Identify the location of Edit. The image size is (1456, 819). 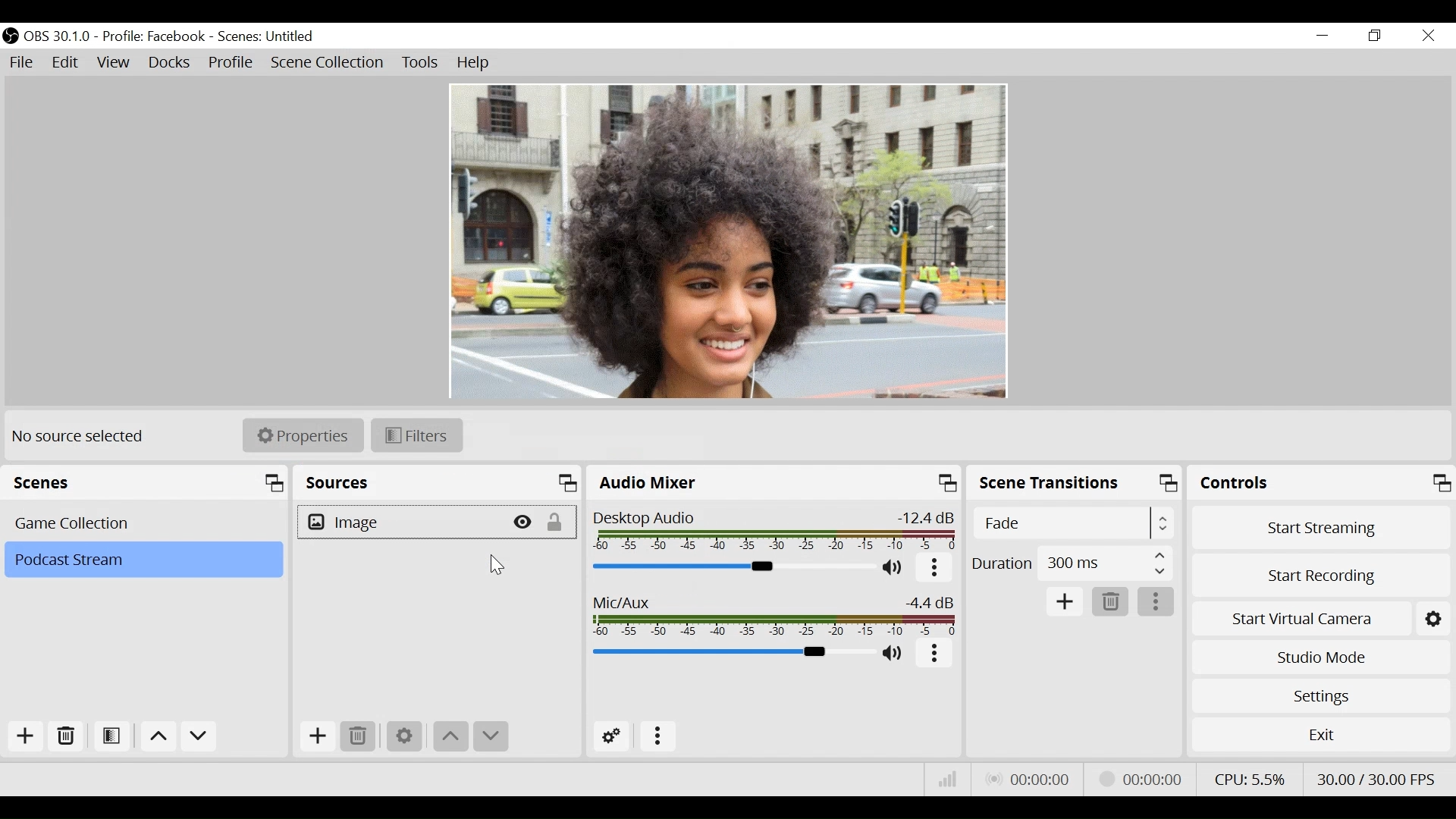
(67, 63).